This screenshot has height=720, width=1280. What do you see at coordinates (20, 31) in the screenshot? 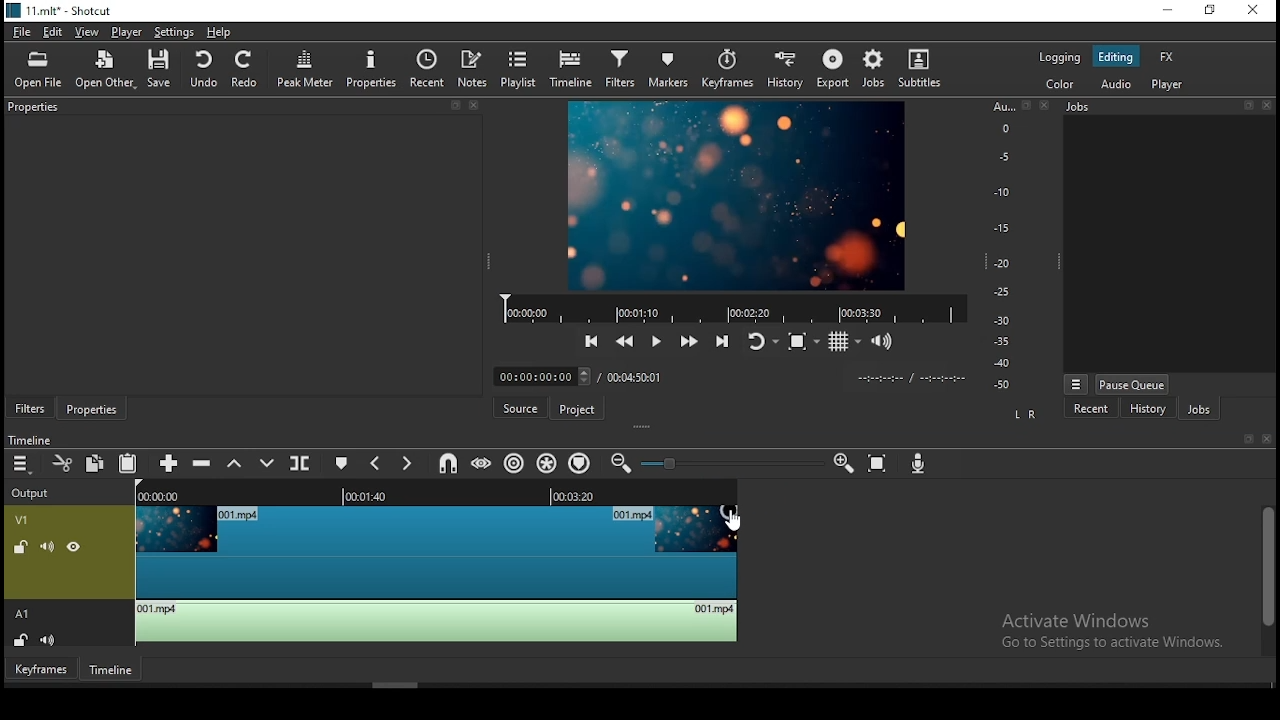
I see `file` at bounding box center [20, 31].